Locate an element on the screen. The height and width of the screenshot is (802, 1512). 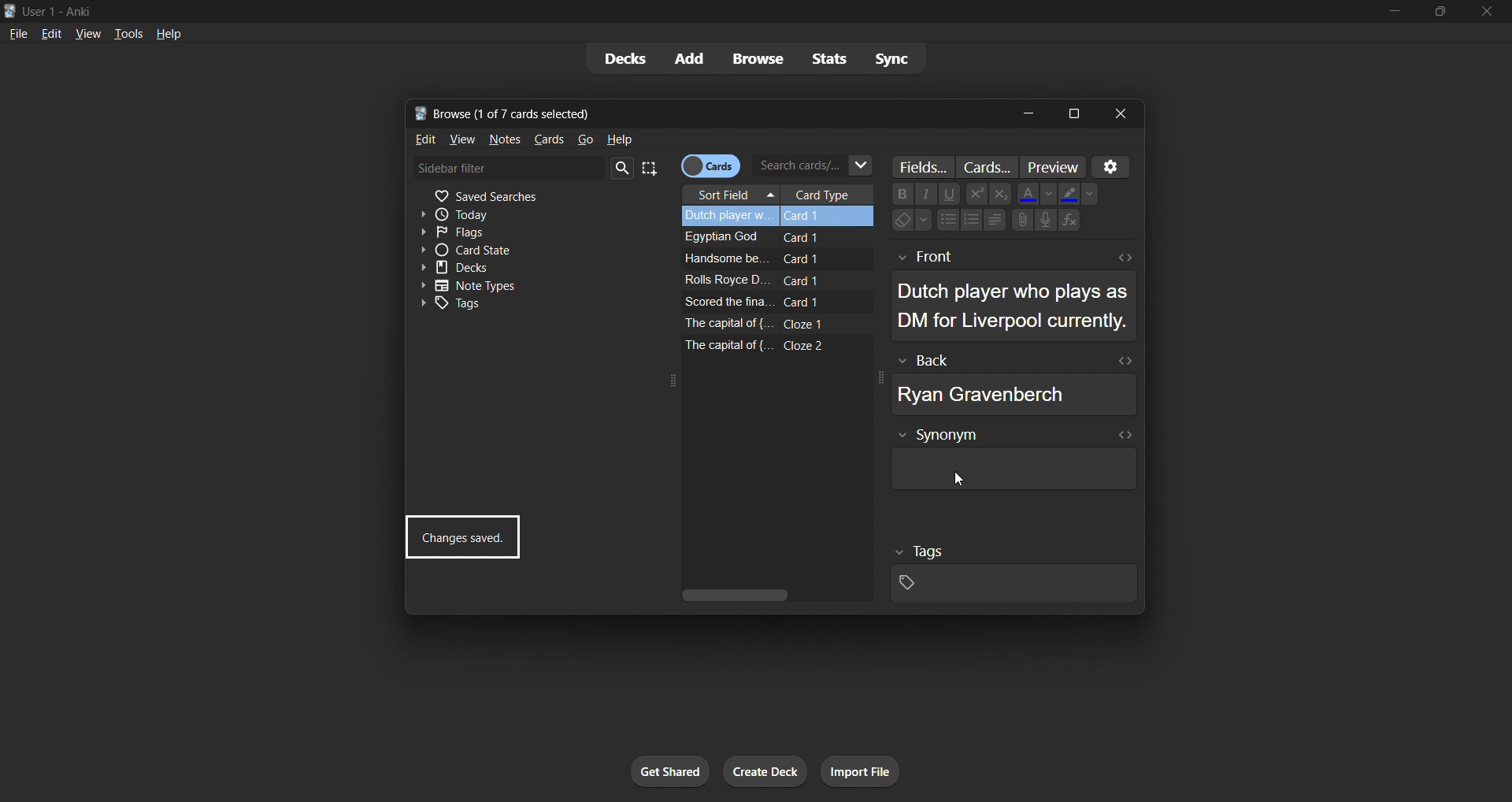
cards/notes toggle is located at coordinates (710, 166).